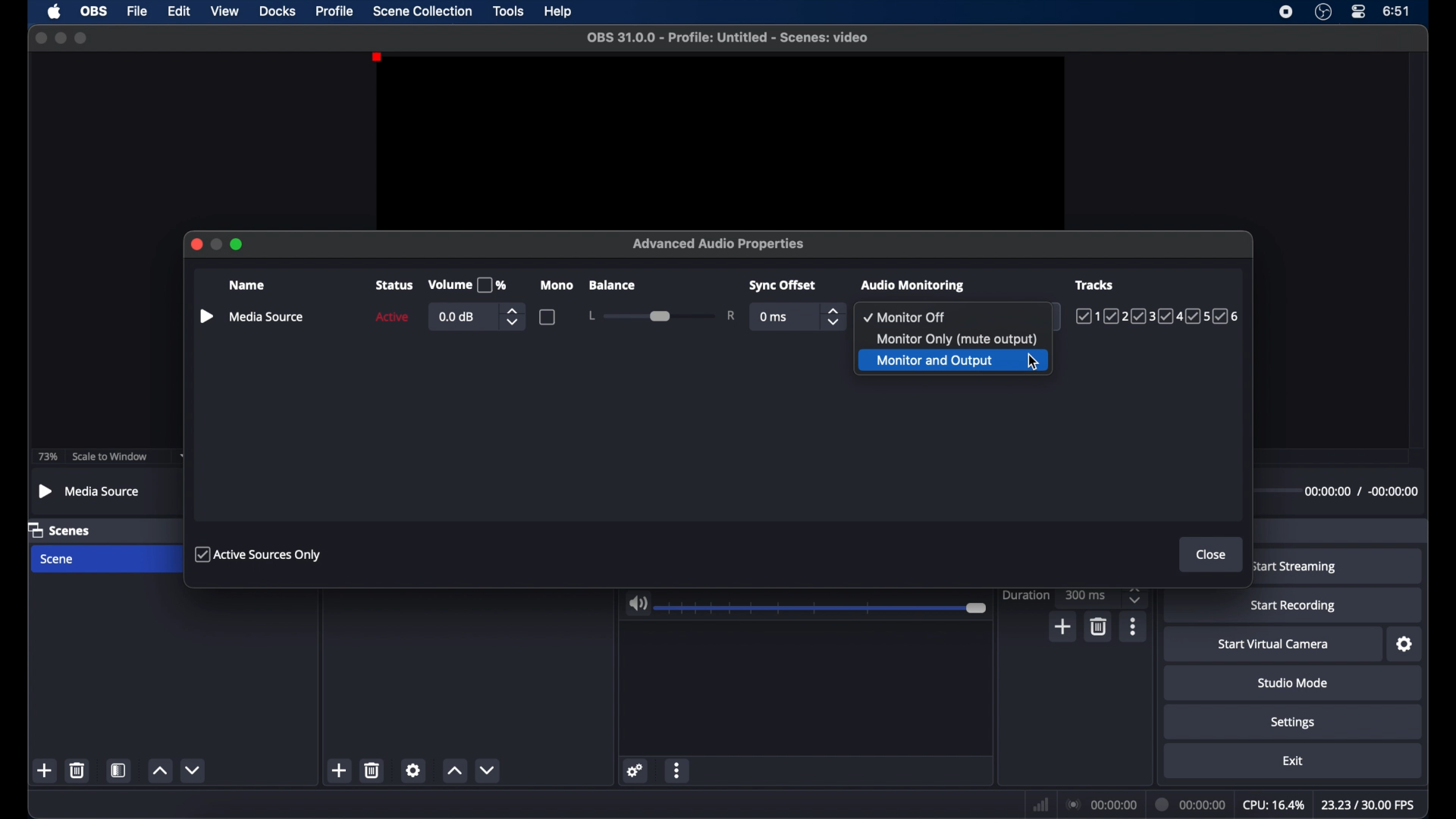 Image resolution: width=1456 pixels, height=819 pixels. Describe the element at coordinates (467, 285) in the screenshot. I see `volume` at that location.